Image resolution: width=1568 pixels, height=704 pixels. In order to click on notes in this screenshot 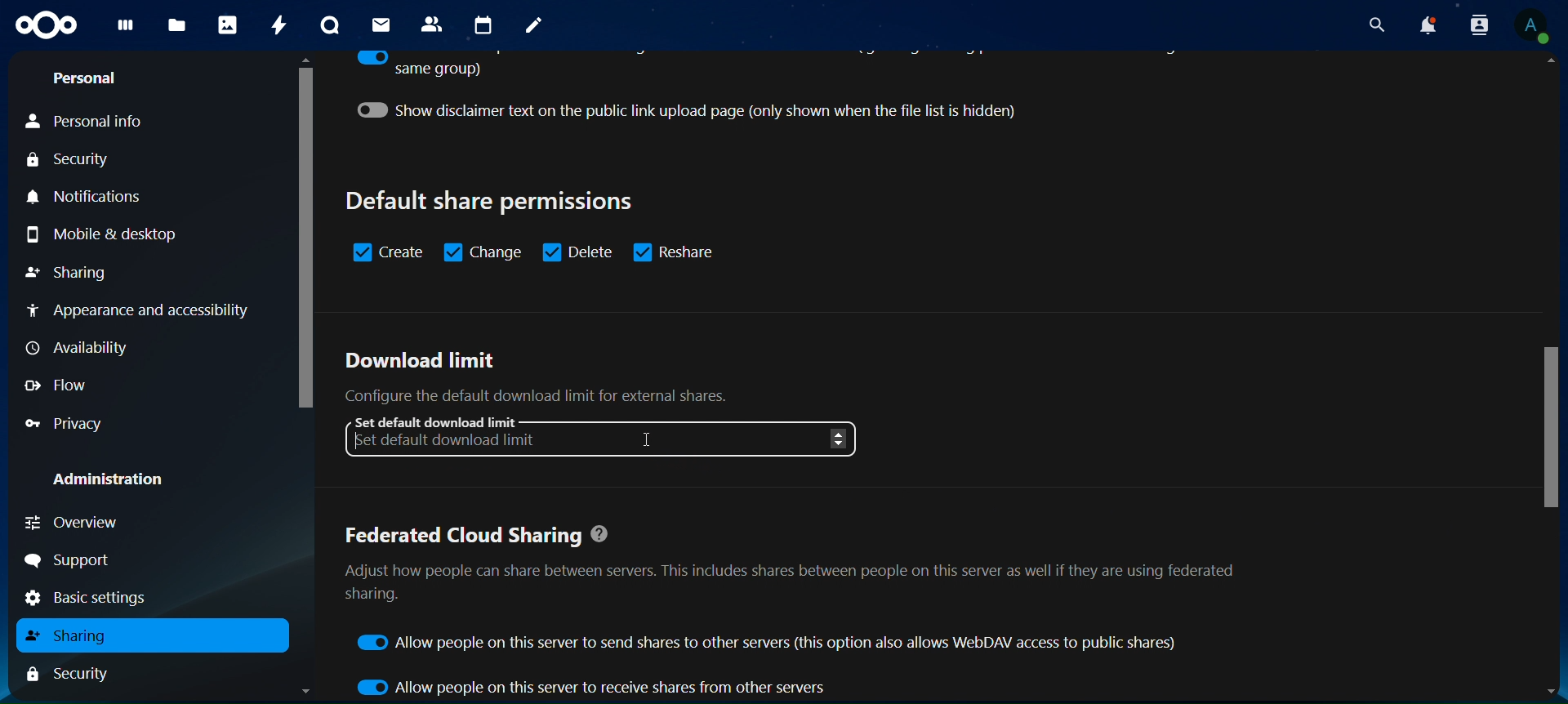, I will do `click(535, 28)`.